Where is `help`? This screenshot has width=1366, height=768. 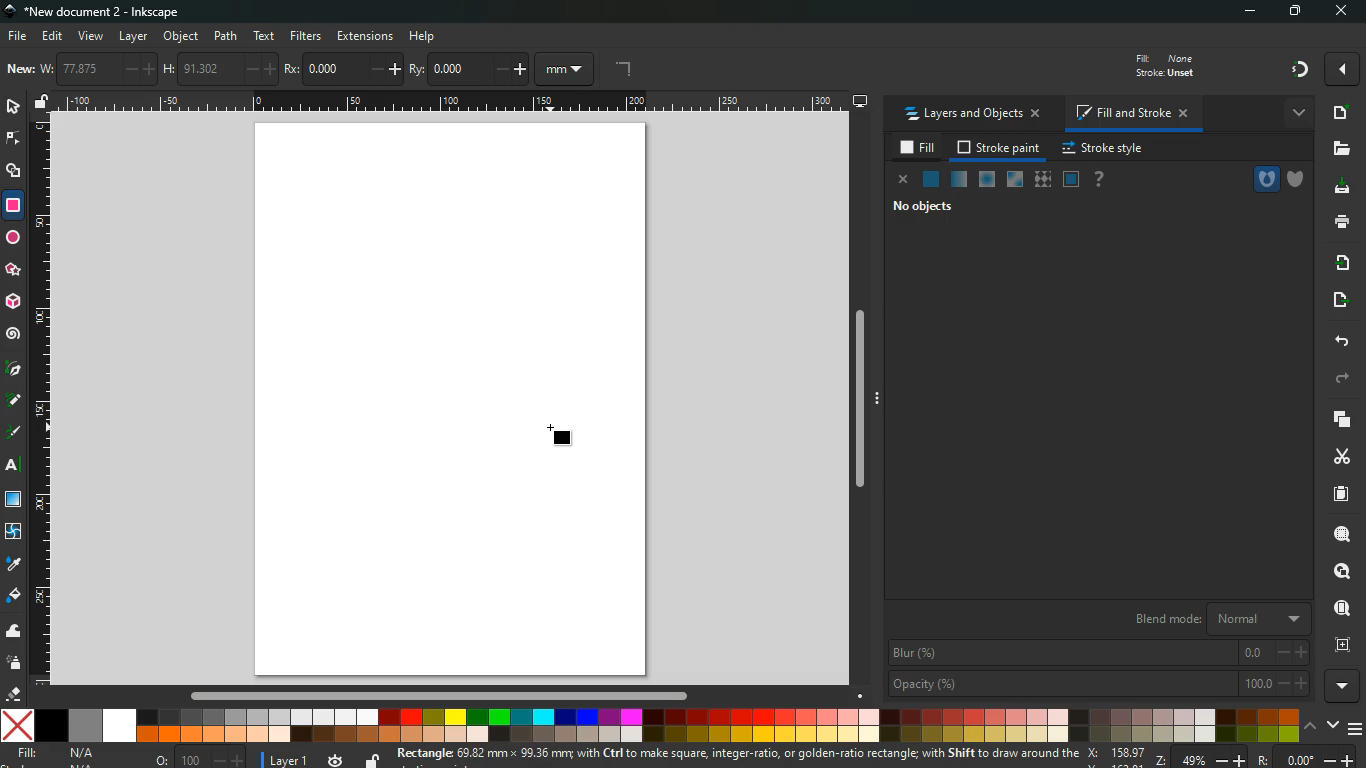 help is located at coordinates (1100, 180).